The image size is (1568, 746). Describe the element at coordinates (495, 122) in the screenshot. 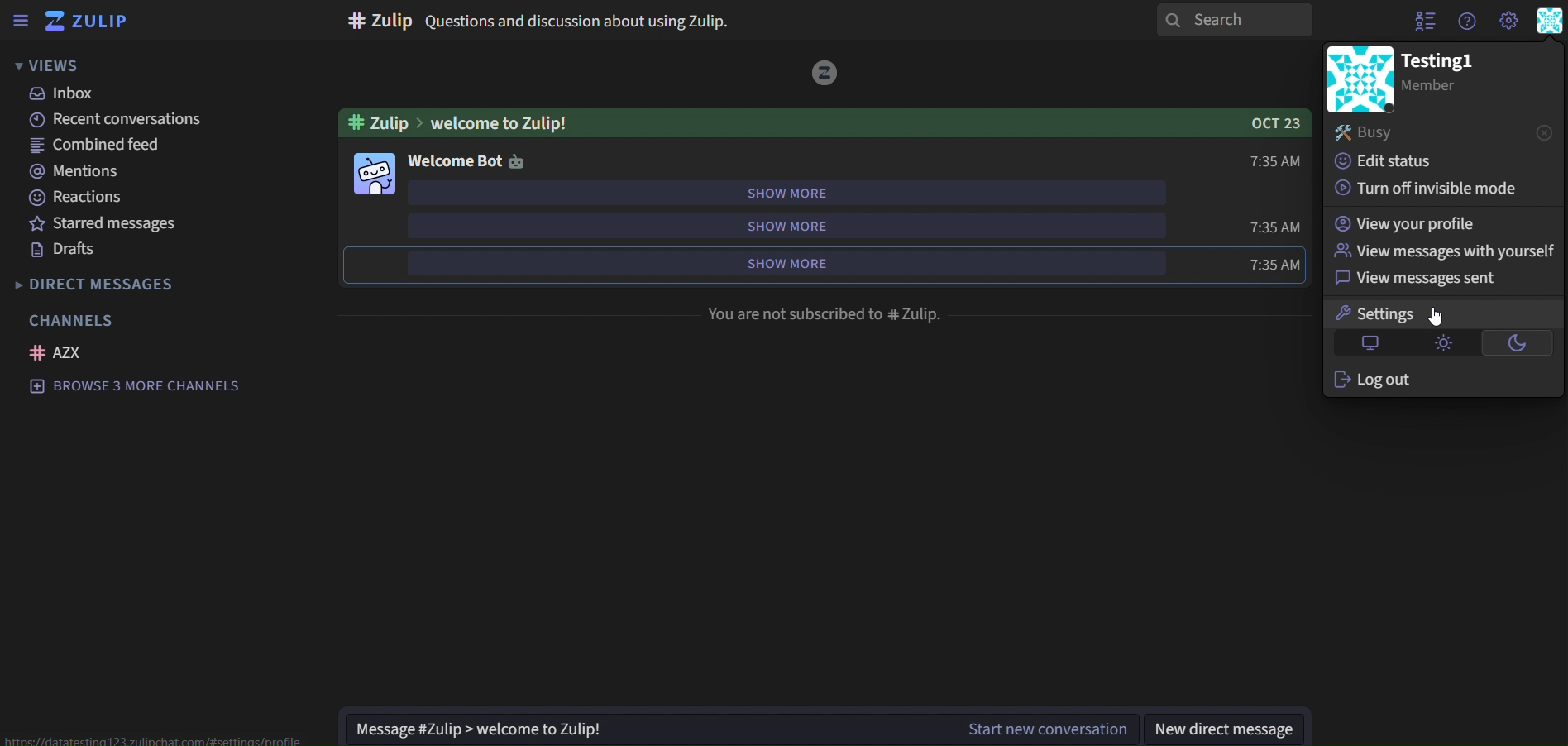

I see `Welcome to Zulip!` at that location.